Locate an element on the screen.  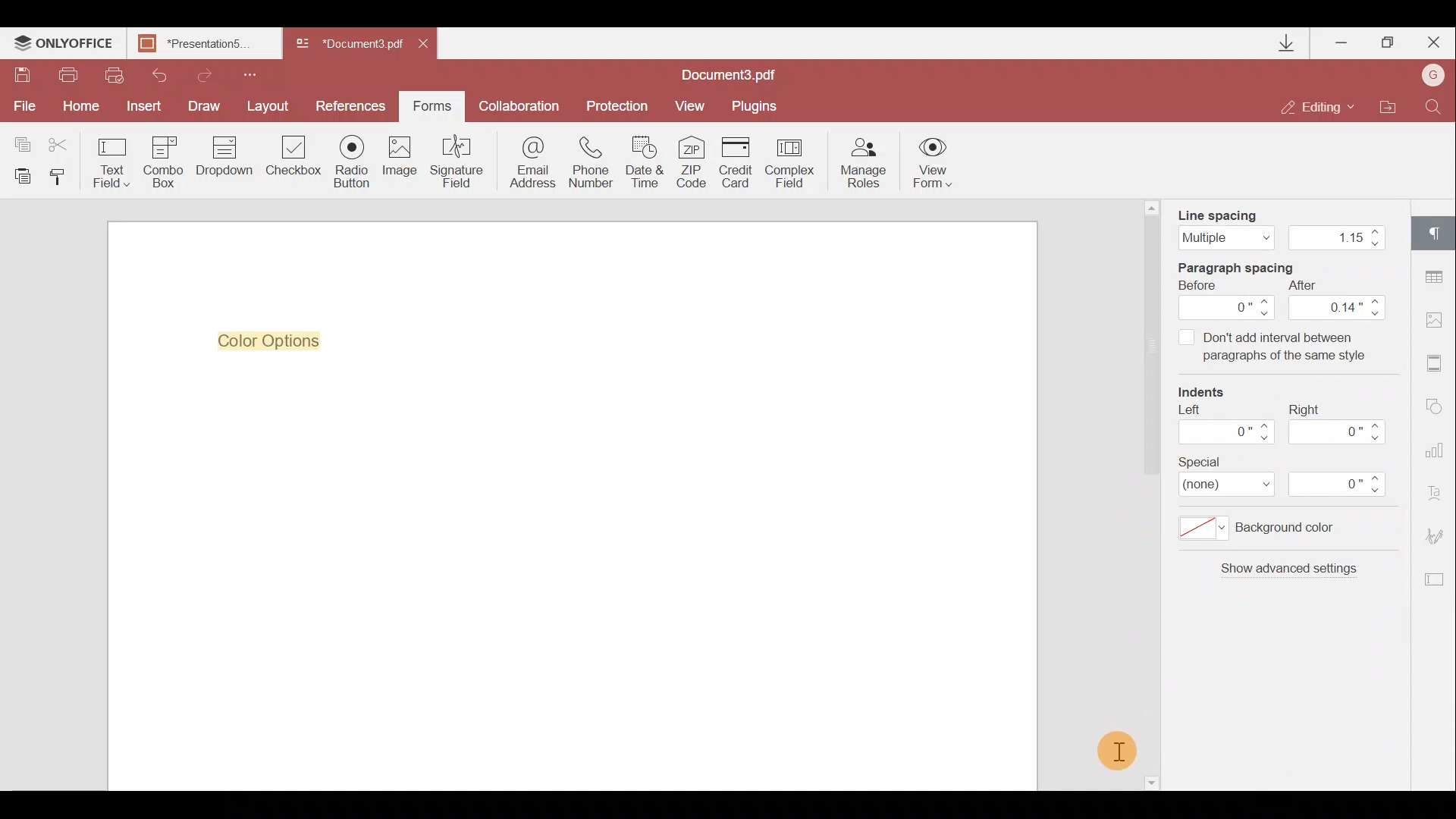
Background color is located at coordinates (1272, 531).